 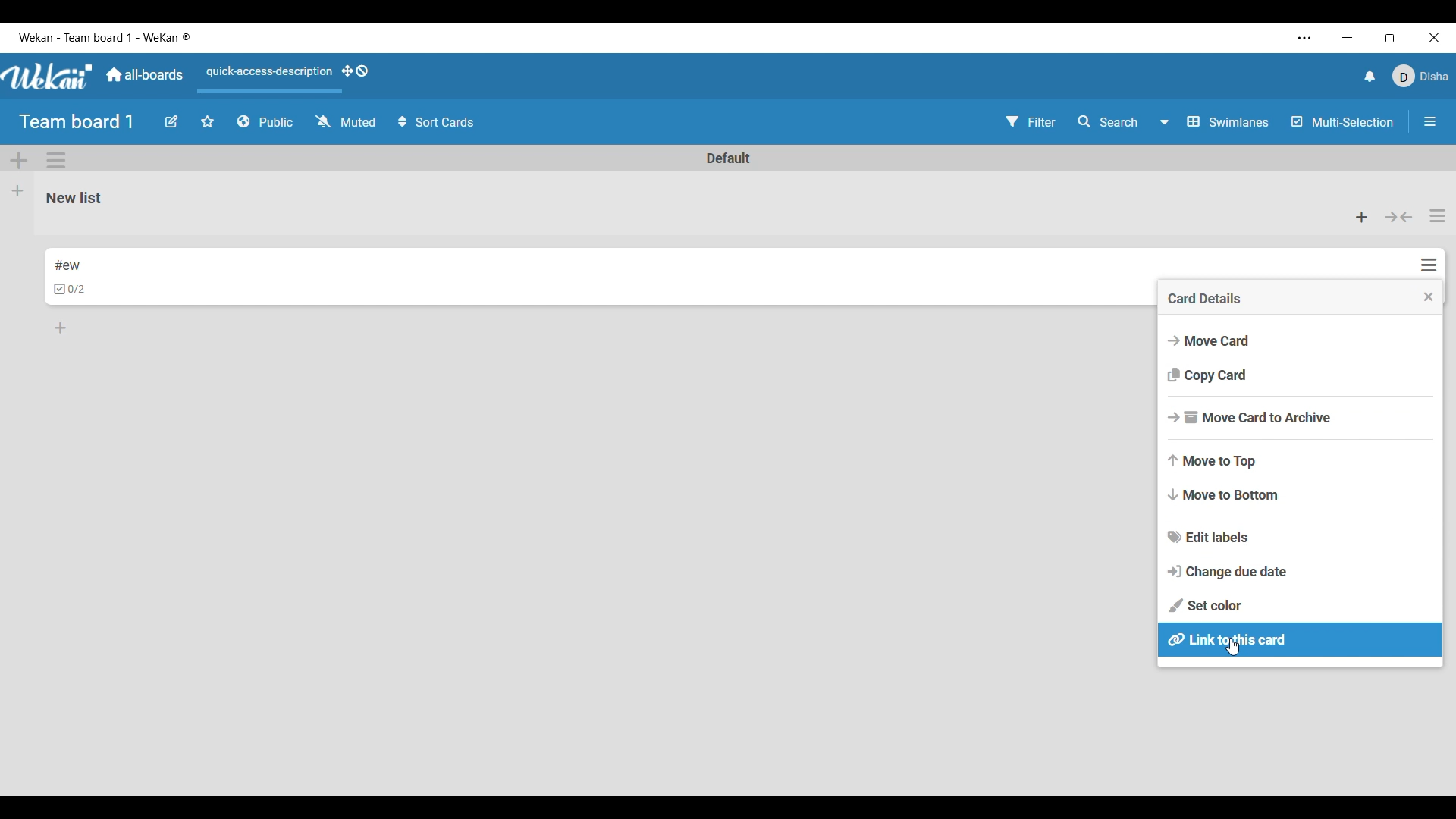 What do you see at coordinates (61, 328) in the screenshot?
I see `Add card to bottom of list` at bounding box center [61, 328].